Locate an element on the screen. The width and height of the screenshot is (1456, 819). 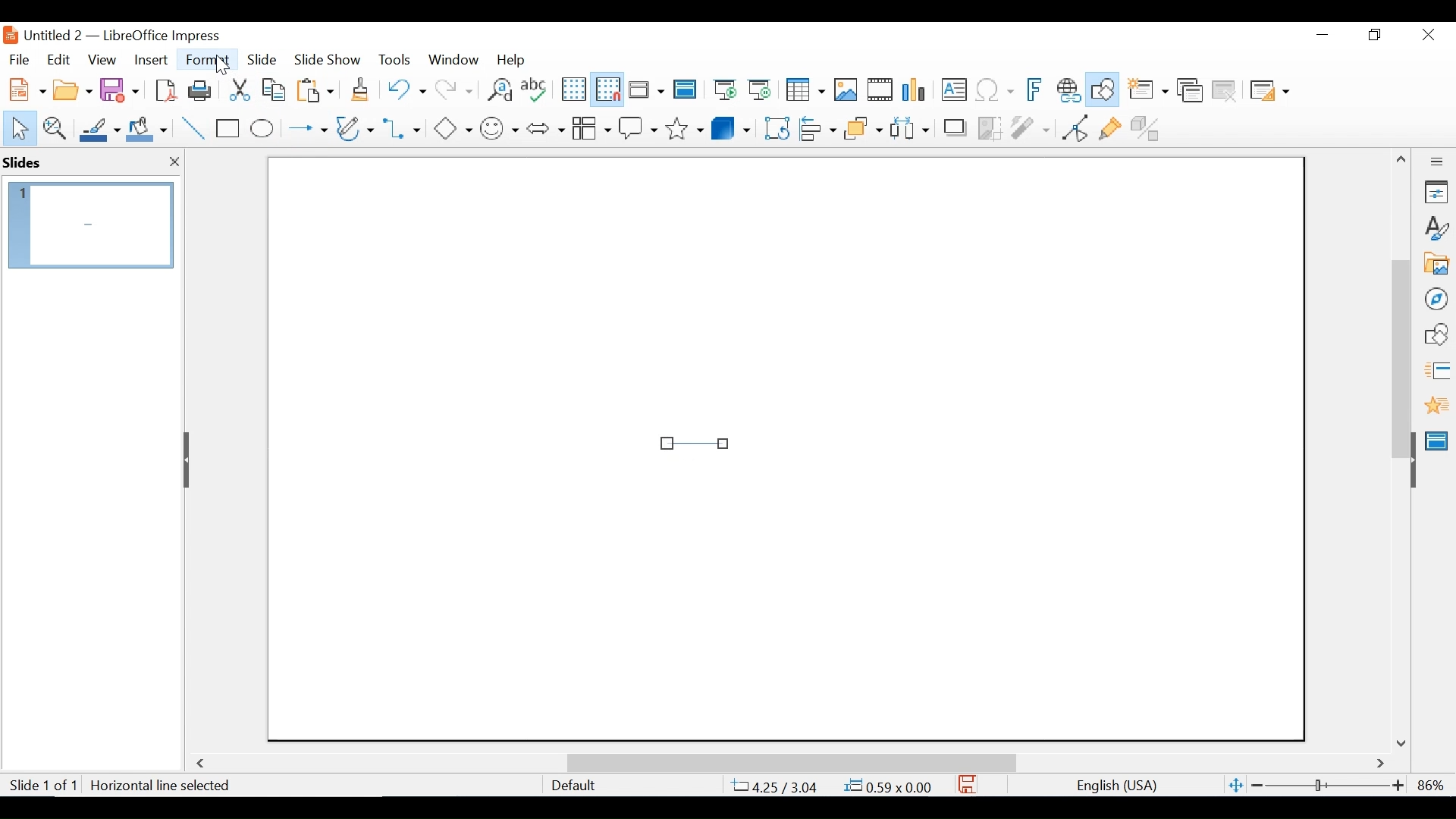
3D Objects is located at coordinates (731, 127).